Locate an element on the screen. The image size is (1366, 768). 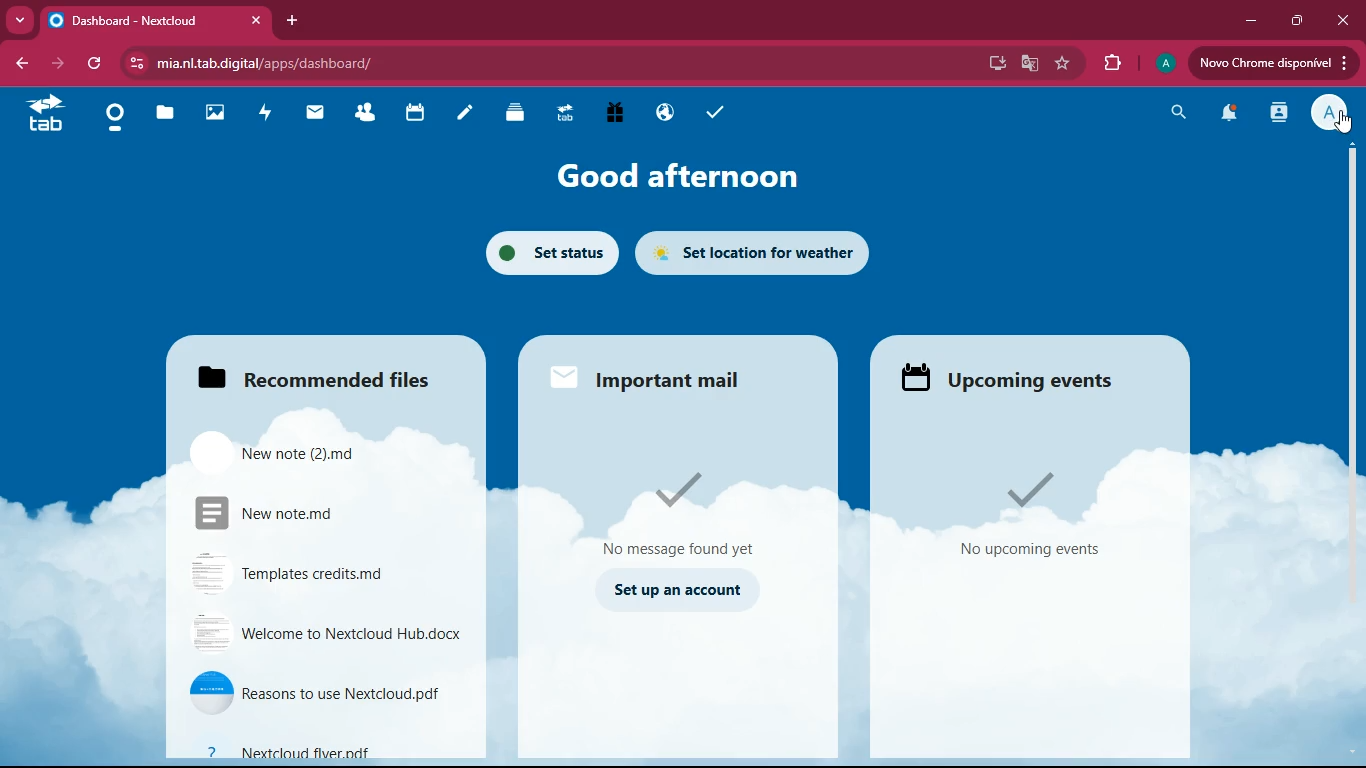
desktop is located at coordinates (988, 64).